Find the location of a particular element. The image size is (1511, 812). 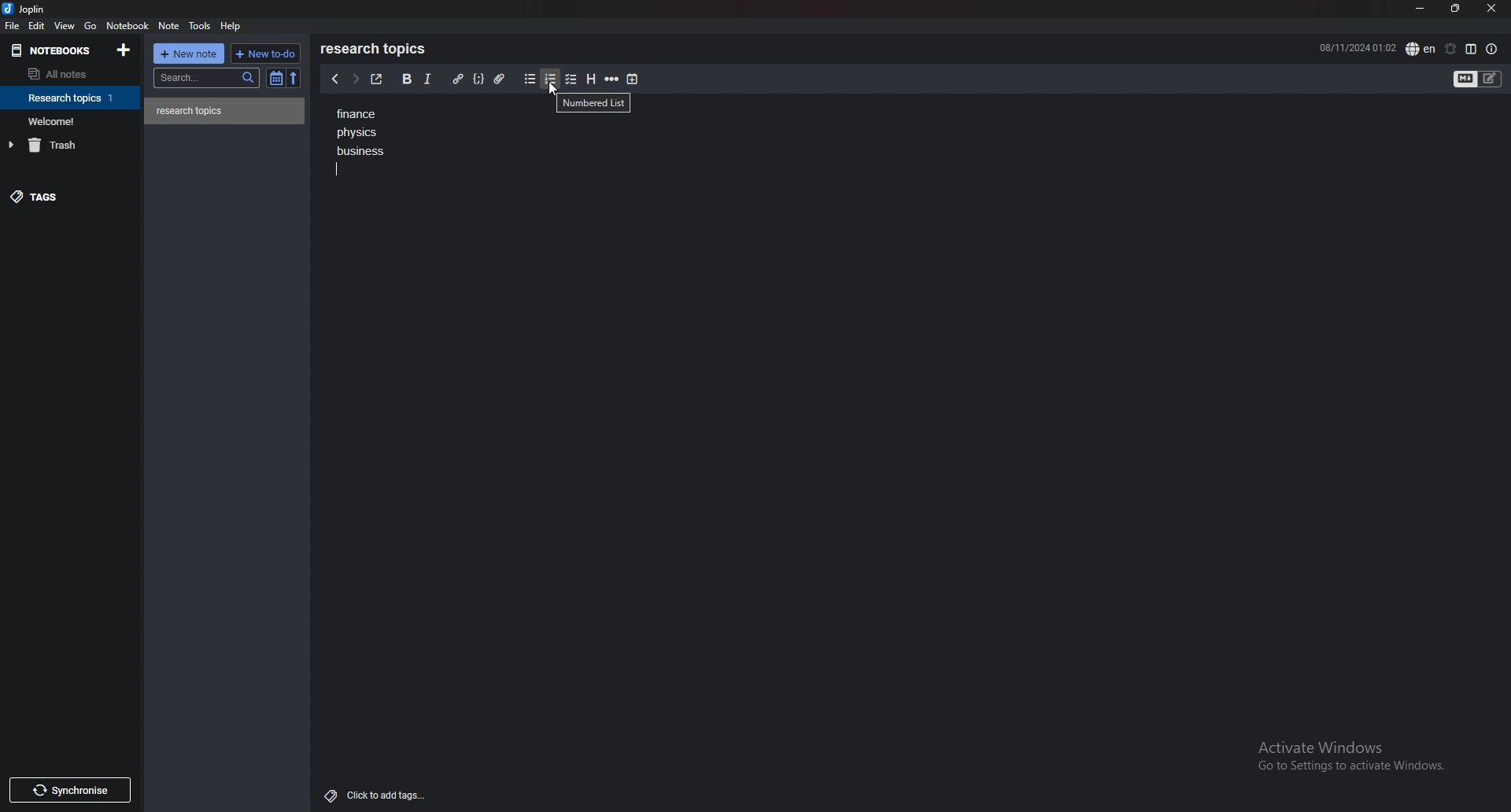

notebook is located at coordinates (72, 98).